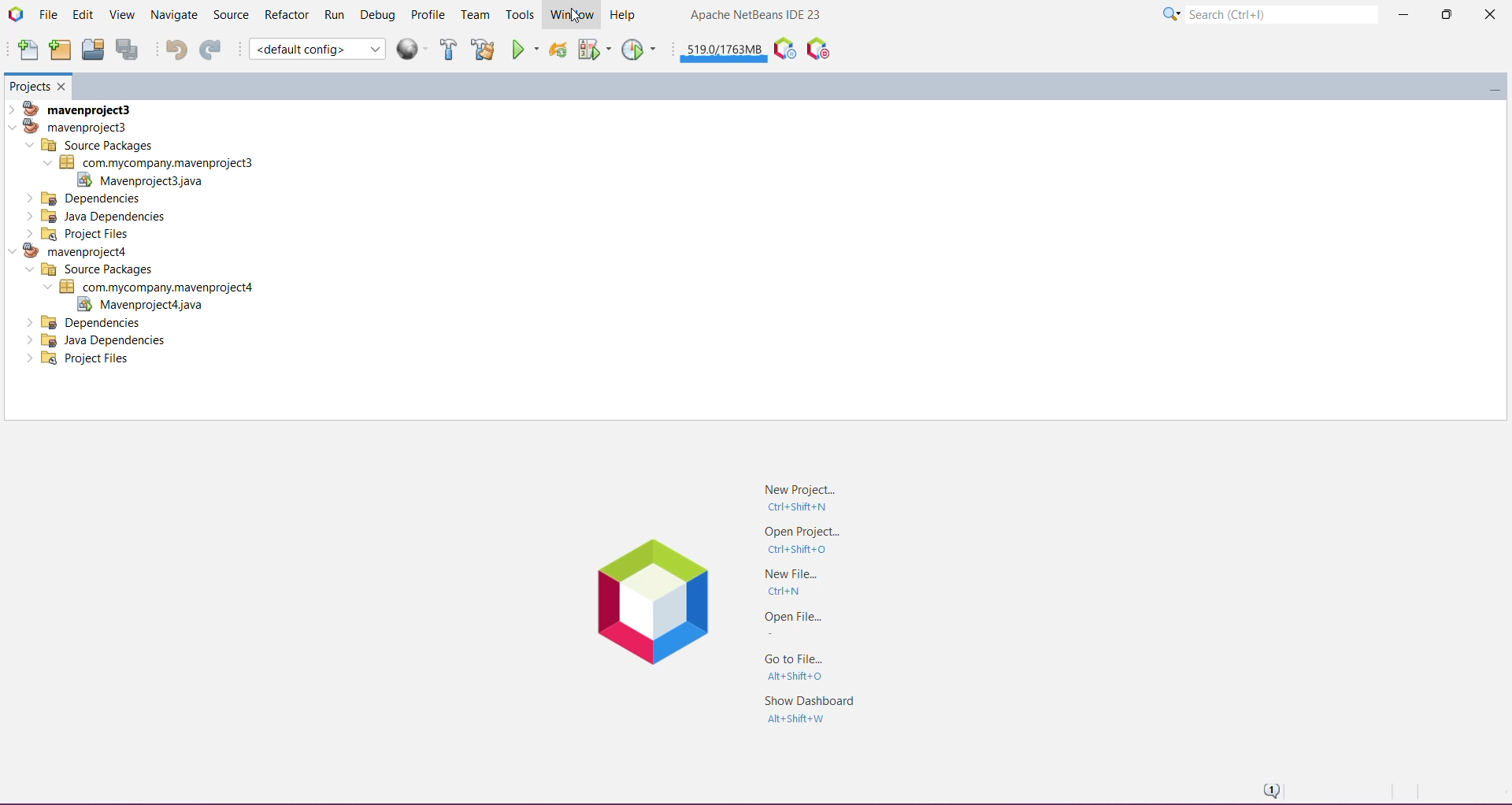 The width and height of the screenshot is (1512, 805). Describe the element at coordinates (806, 709) in the screenshot. I see `Show Dashboard` at that location.